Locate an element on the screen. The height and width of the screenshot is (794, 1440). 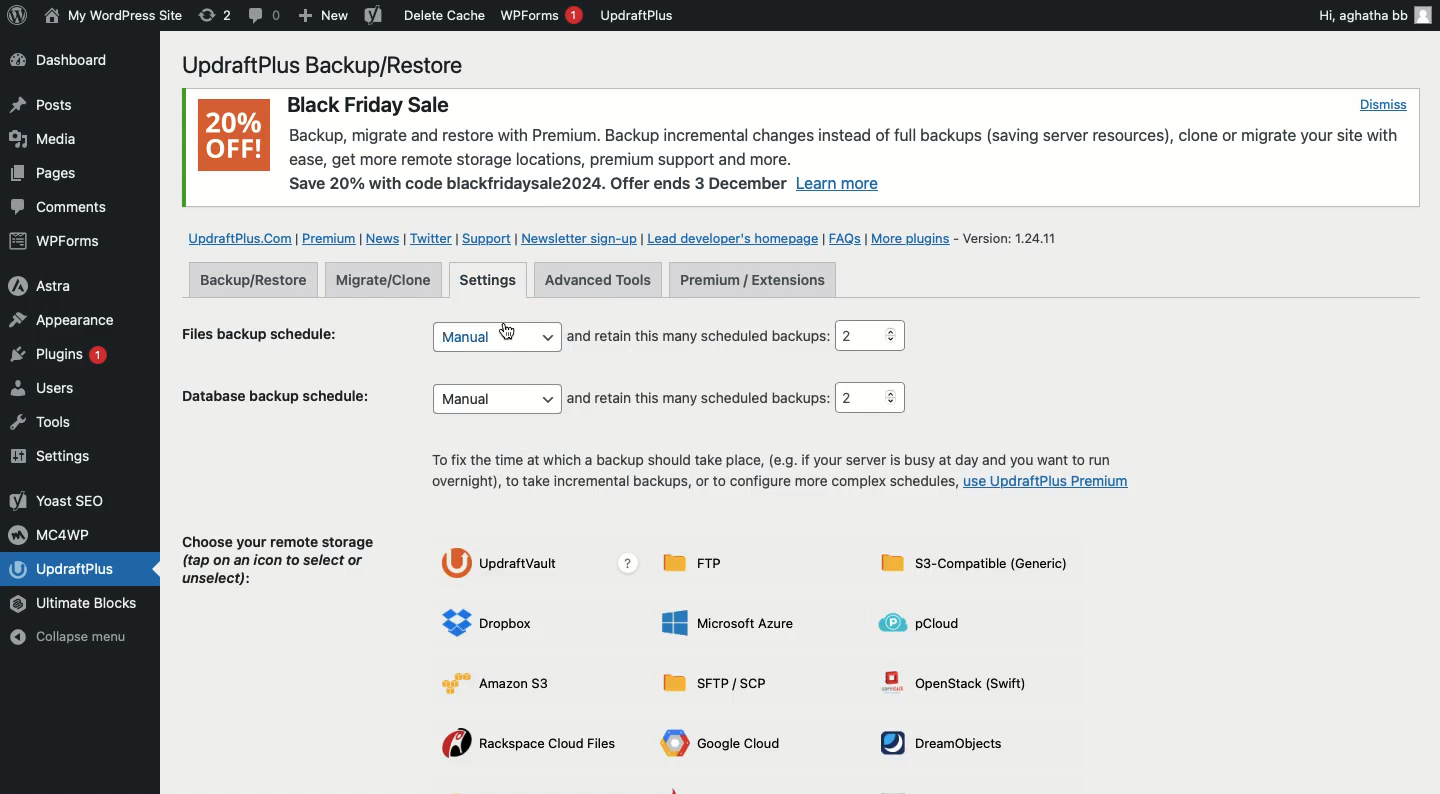
FAQs is located at coordinates (845, 238).